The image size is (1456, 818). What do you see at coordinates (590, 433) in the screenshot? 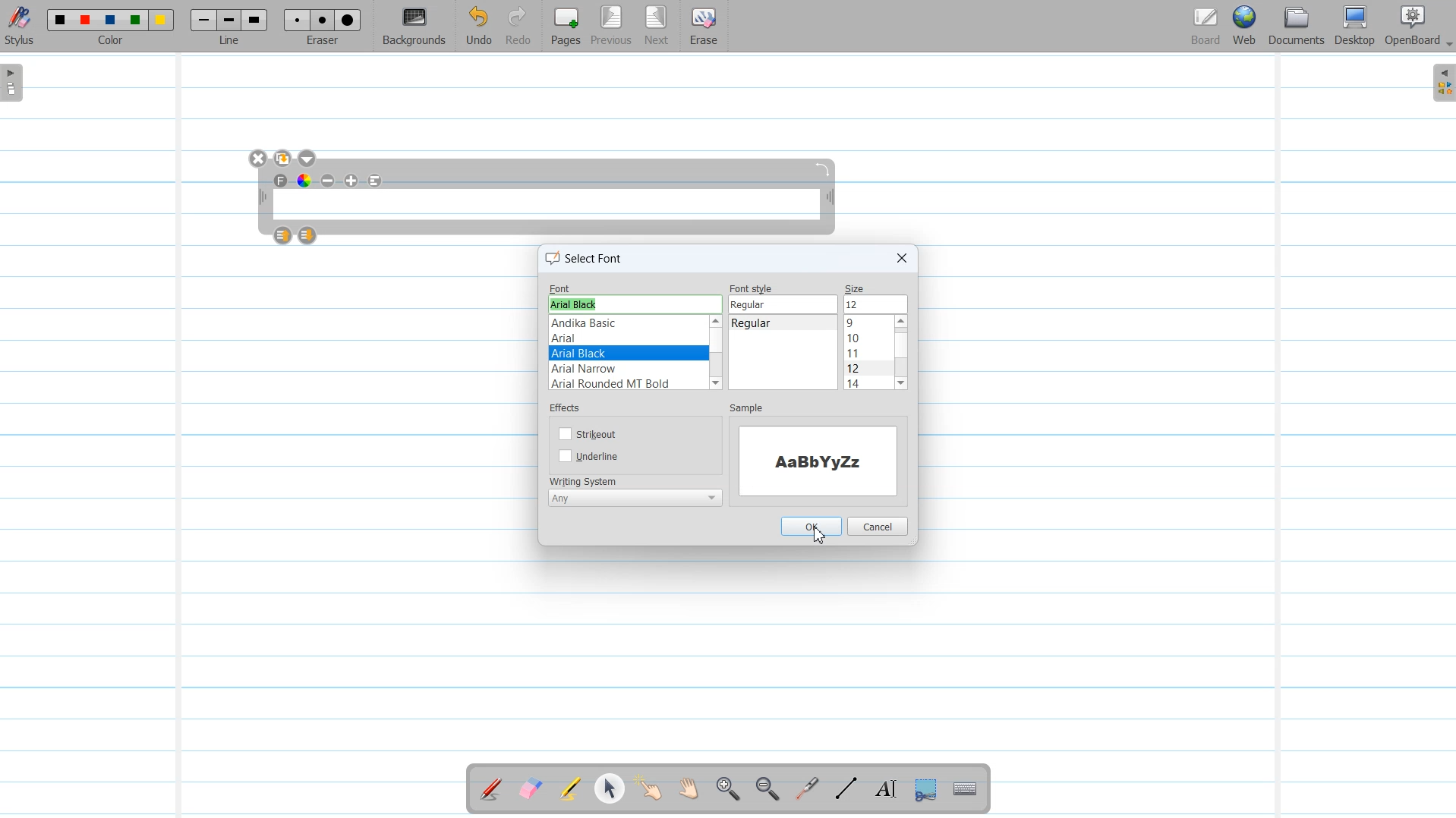
I see `Strikeout` at bounding box center [590, 433].